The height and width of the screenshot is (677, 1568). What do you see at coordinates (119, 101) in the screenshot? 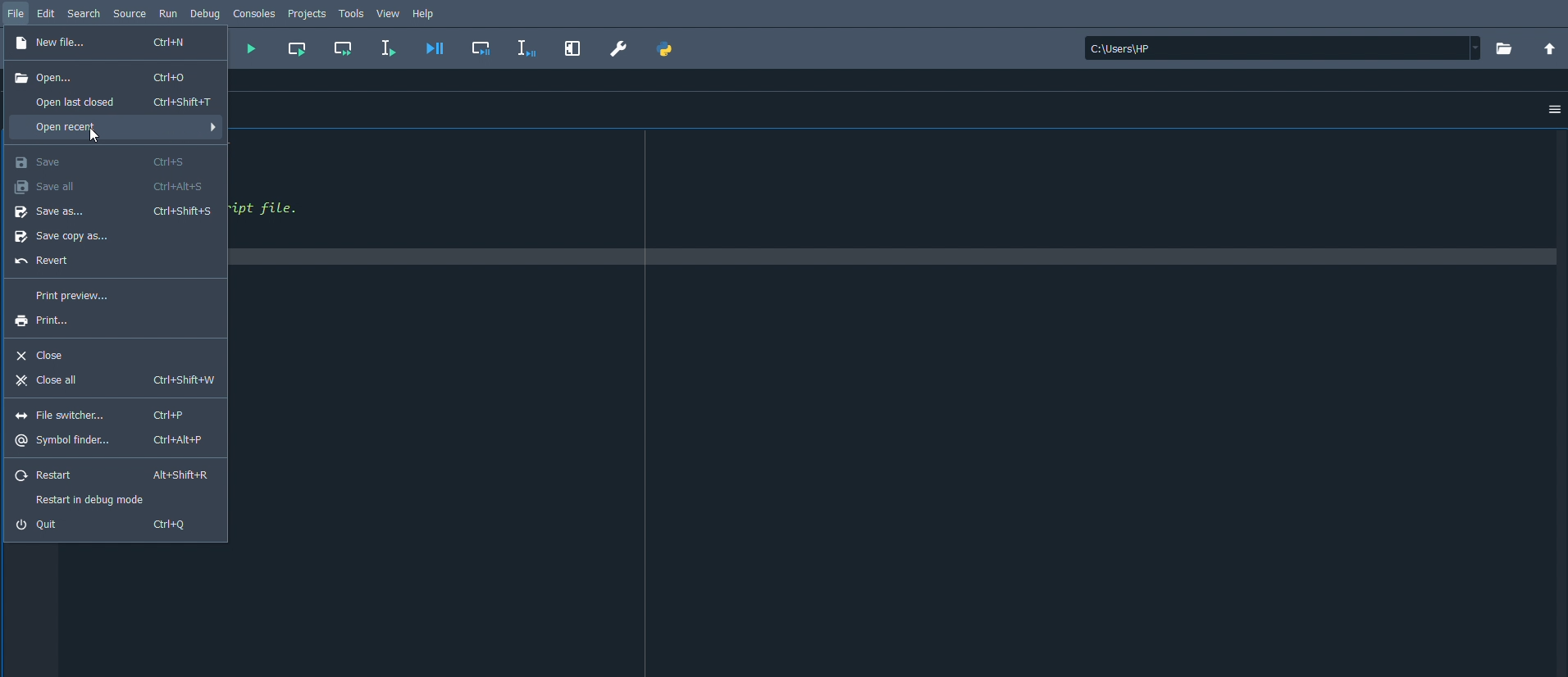
I see `Open last closed` at bounding box center [119, 101].